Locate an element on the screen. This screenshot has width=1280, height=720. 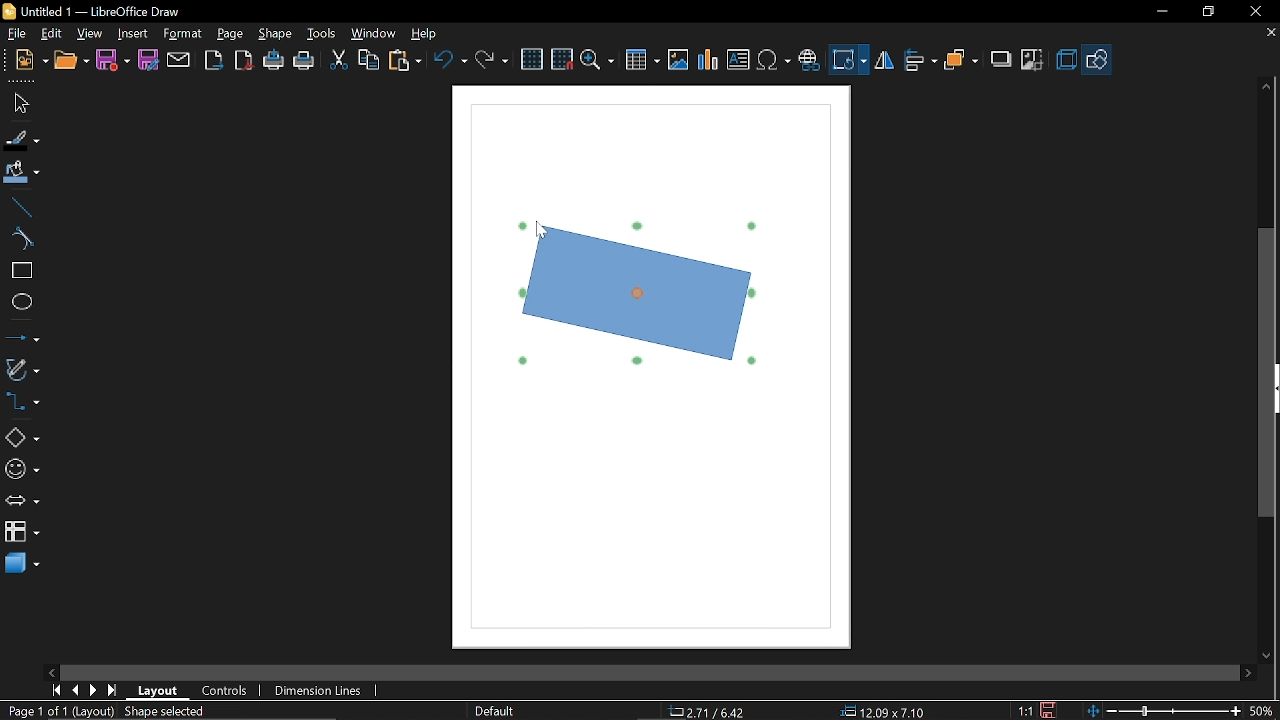
5.92/10.43 is located at coordinates (710, 712).